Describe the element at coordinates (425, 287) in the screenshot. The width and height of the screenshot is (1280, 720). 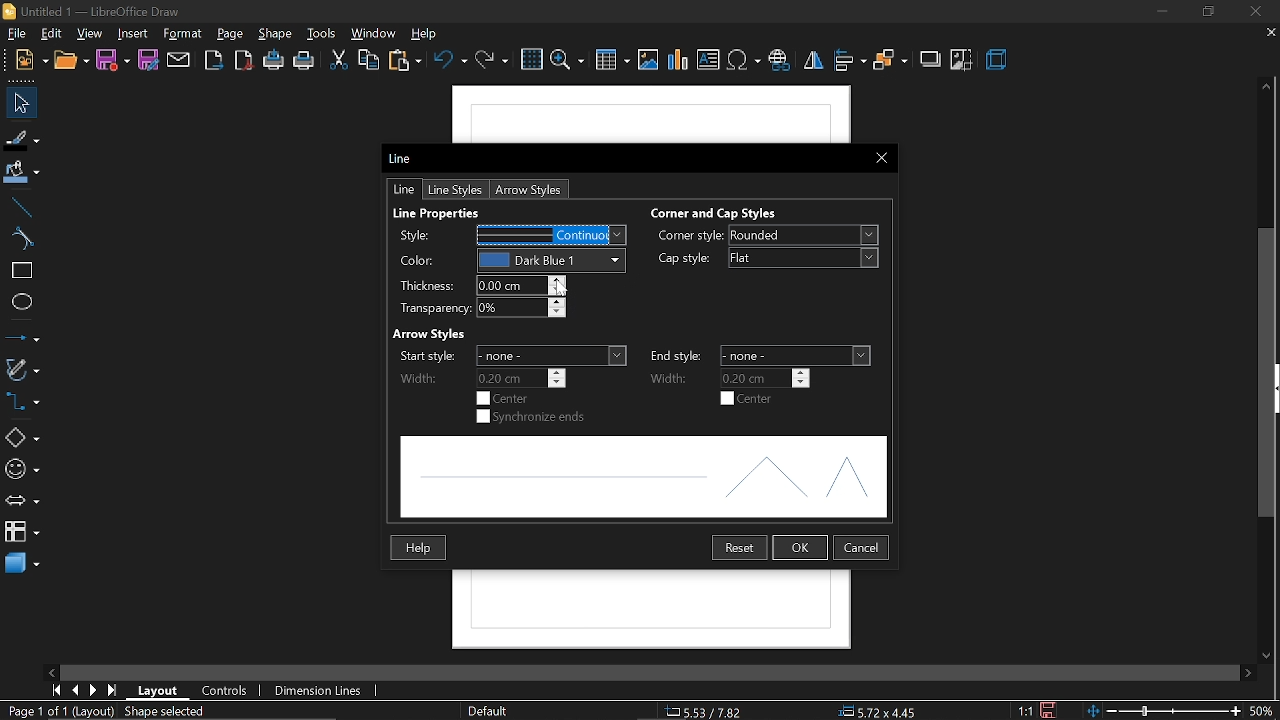
I see `Thickness:` at that location.